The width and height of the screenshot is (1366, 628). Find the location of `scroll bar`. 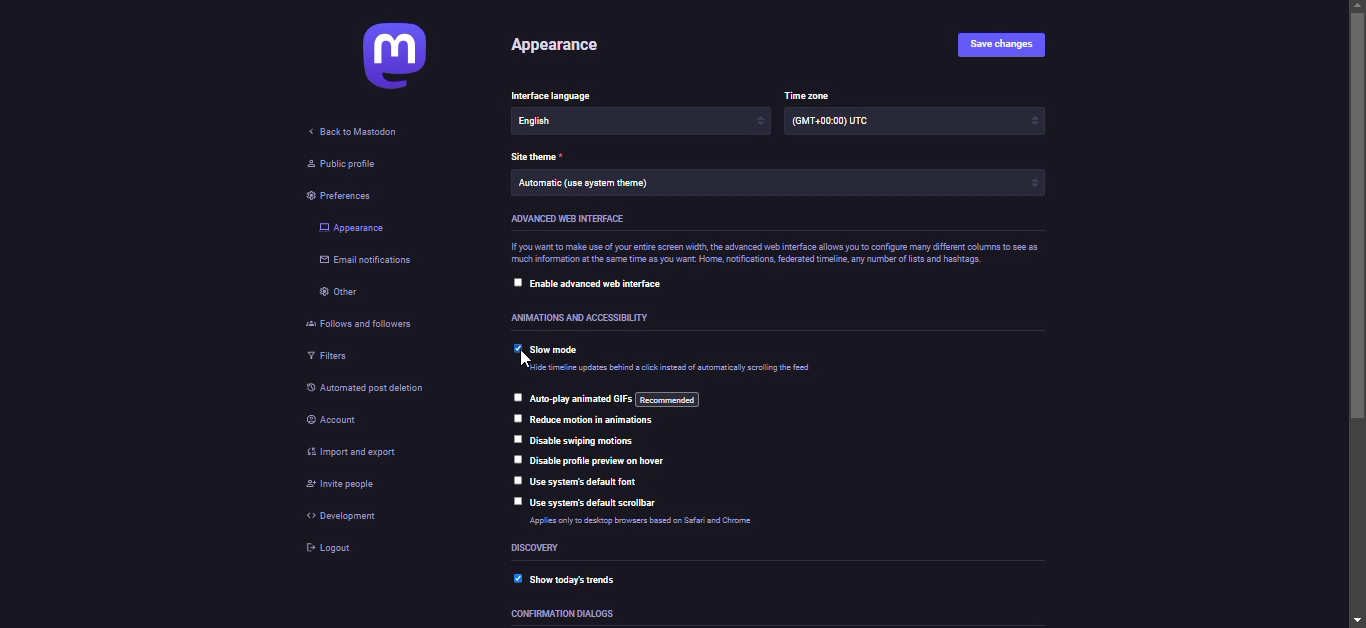

scroll bar is located at coordinates (1359, 212).